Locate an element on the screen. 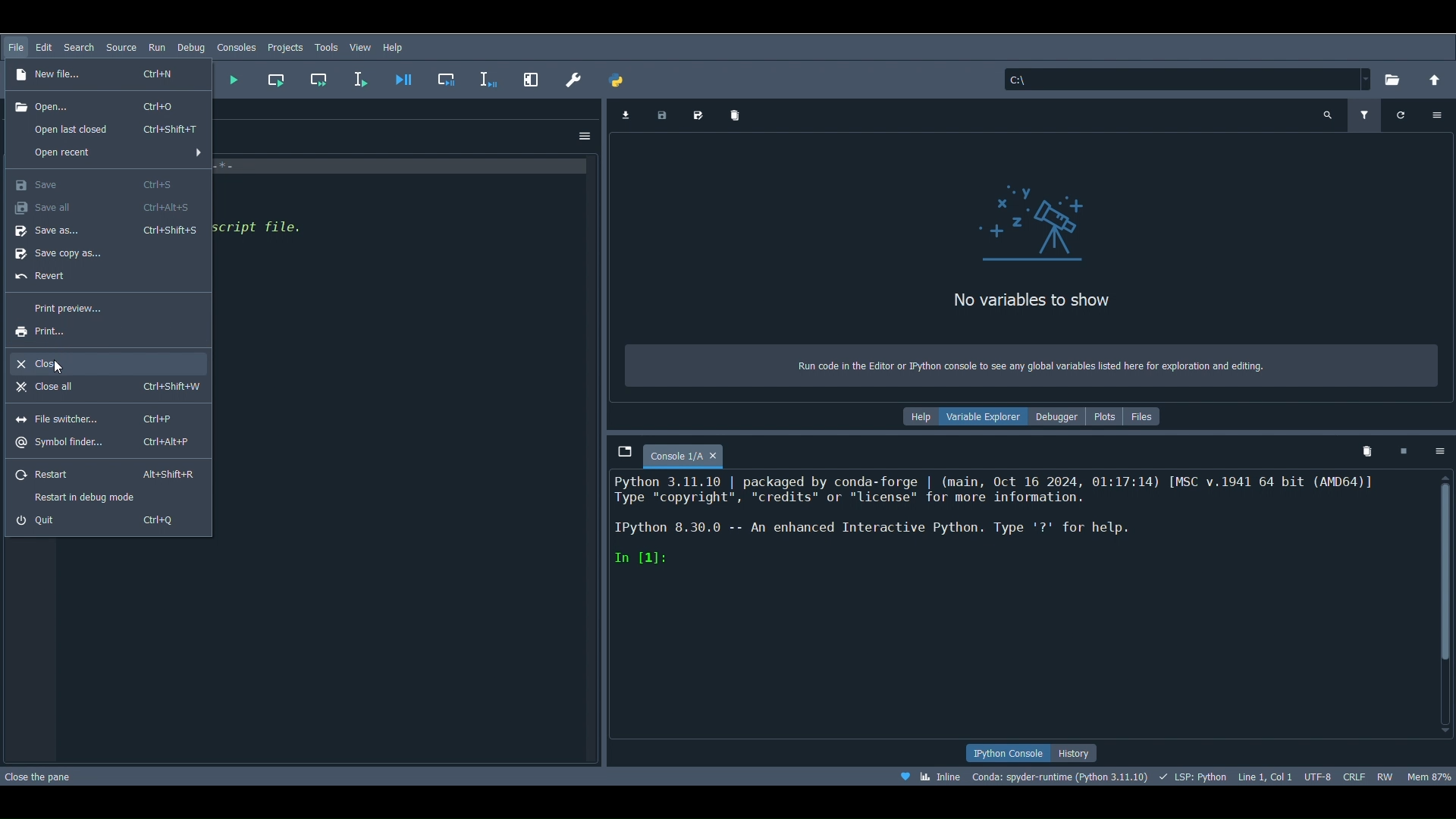  Search is located at coordinates (121, 48).